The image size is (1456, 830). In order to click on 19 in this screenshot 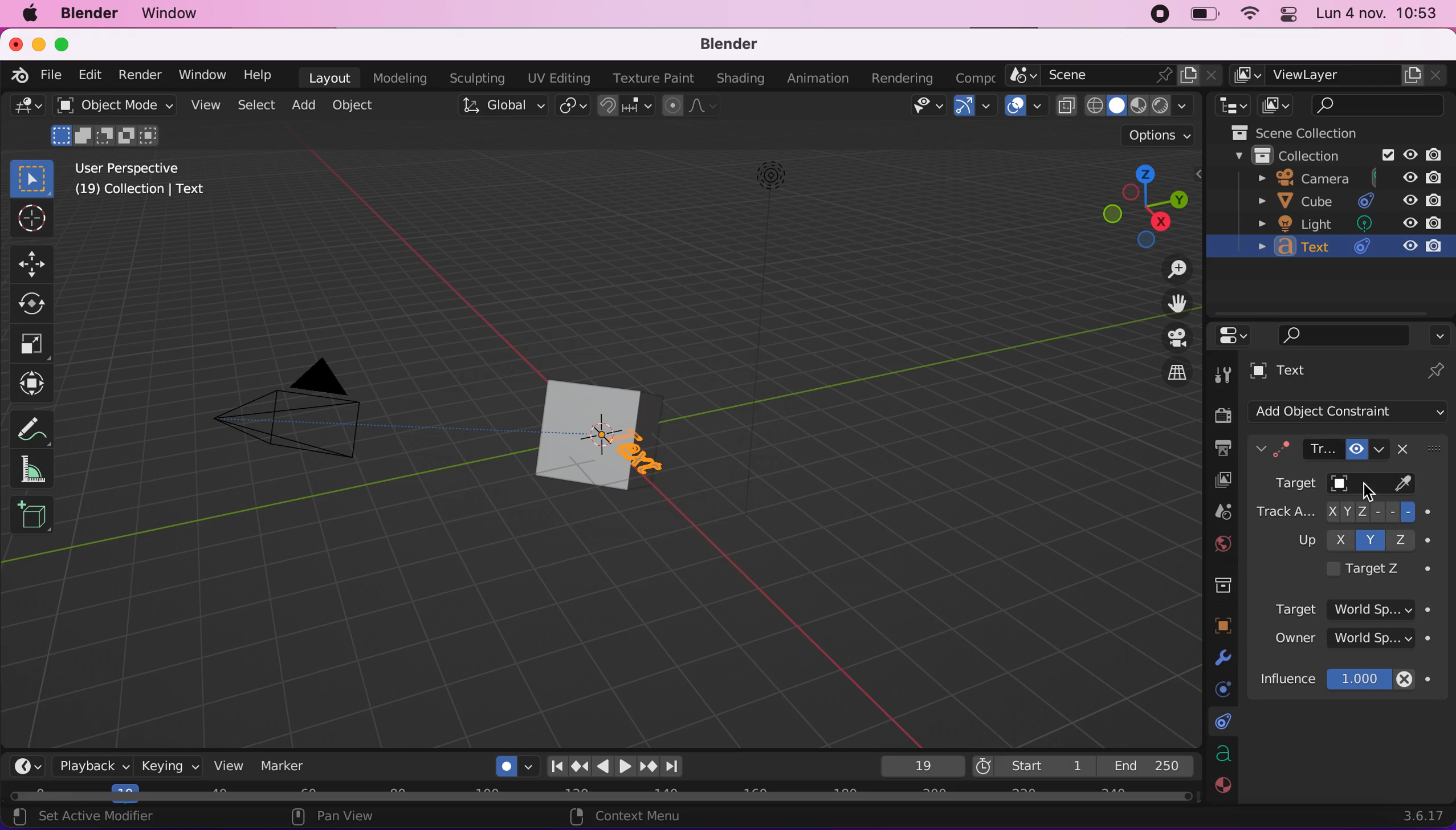, I will do `click(916, 766)`.